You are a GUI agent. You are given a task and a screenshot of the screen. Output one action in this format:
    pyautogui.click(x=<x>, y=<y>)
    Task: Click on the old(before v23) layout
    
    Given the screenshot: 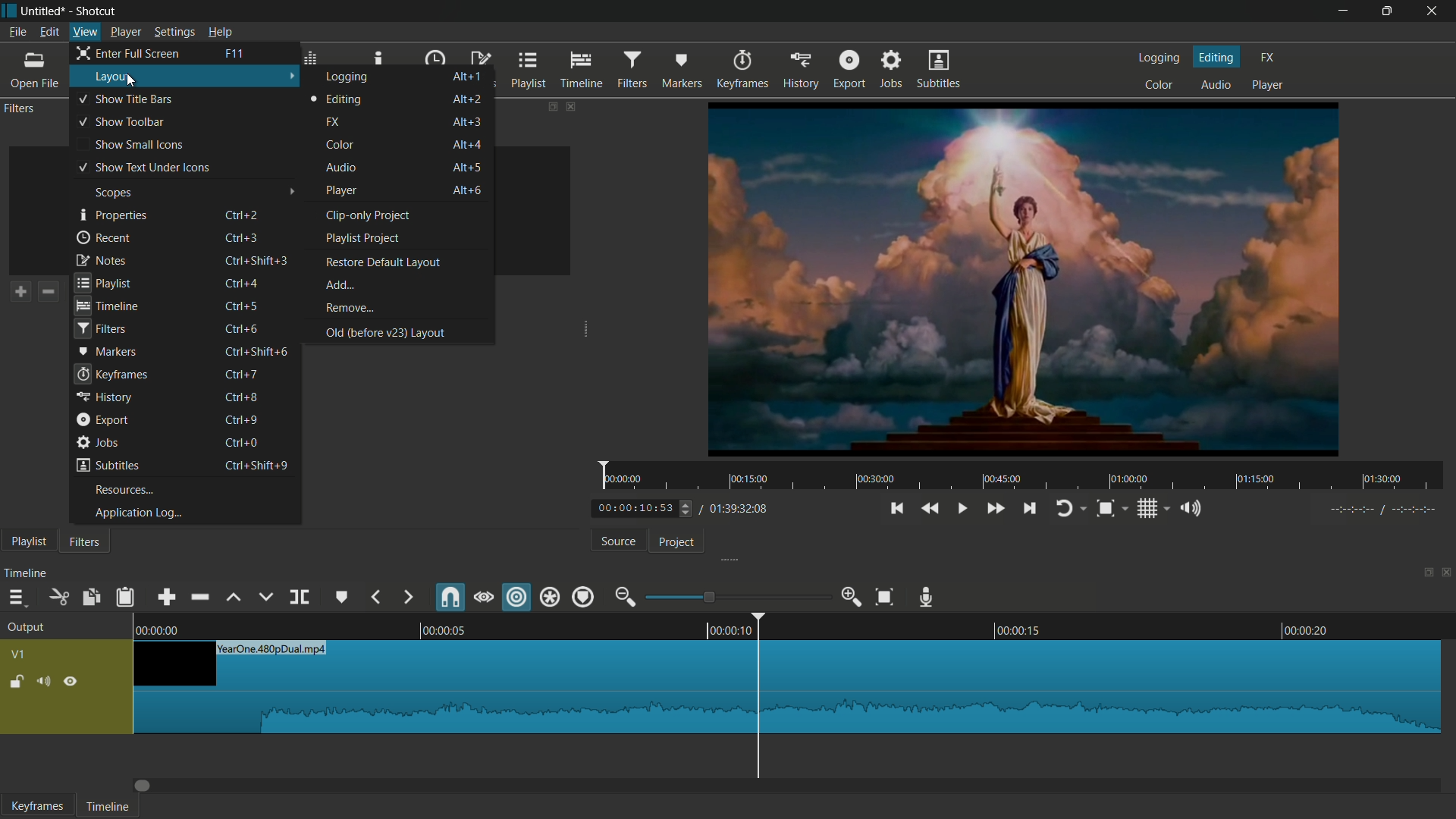 What is the action you would take?
    pyautogui.click(x=384, y=332)
    